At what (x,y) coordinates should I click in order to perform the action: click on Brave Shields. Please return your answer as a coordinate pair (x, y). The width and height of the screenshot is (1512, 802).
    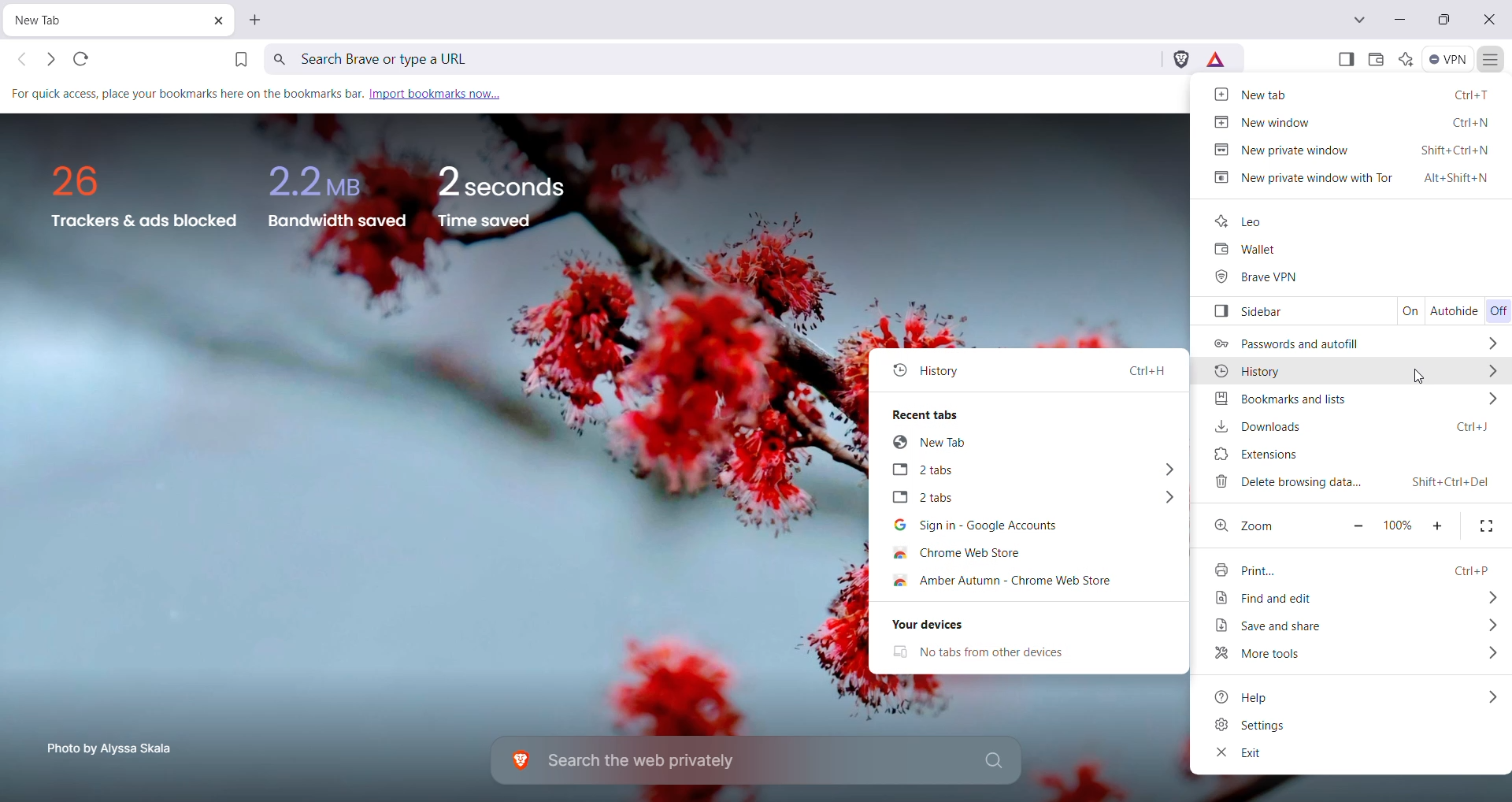
    Looking at the image, I should click on (1180, 59).